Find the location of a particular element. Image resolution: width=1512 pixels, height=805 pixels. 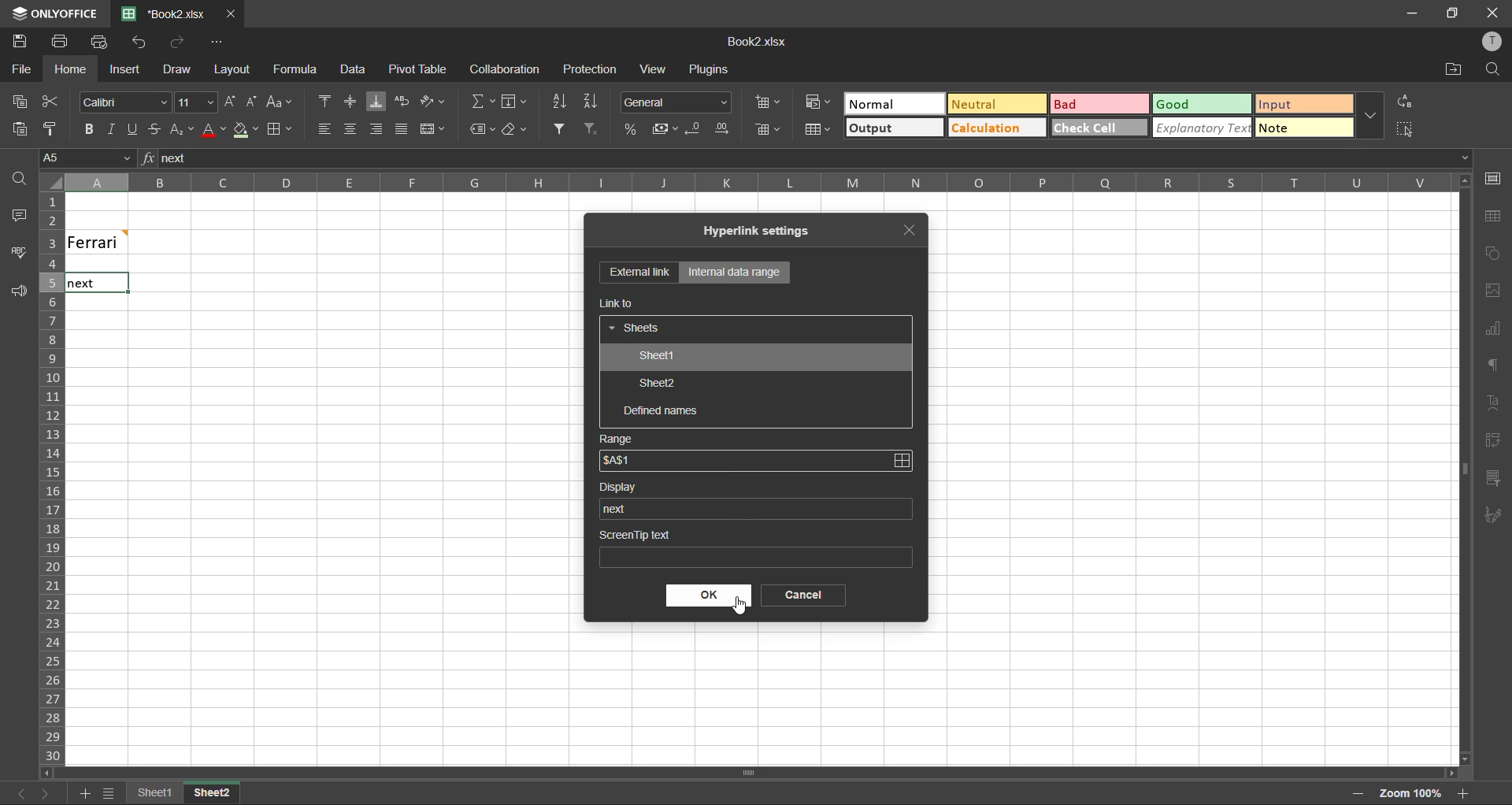

range is located at coordinates (617, 440).